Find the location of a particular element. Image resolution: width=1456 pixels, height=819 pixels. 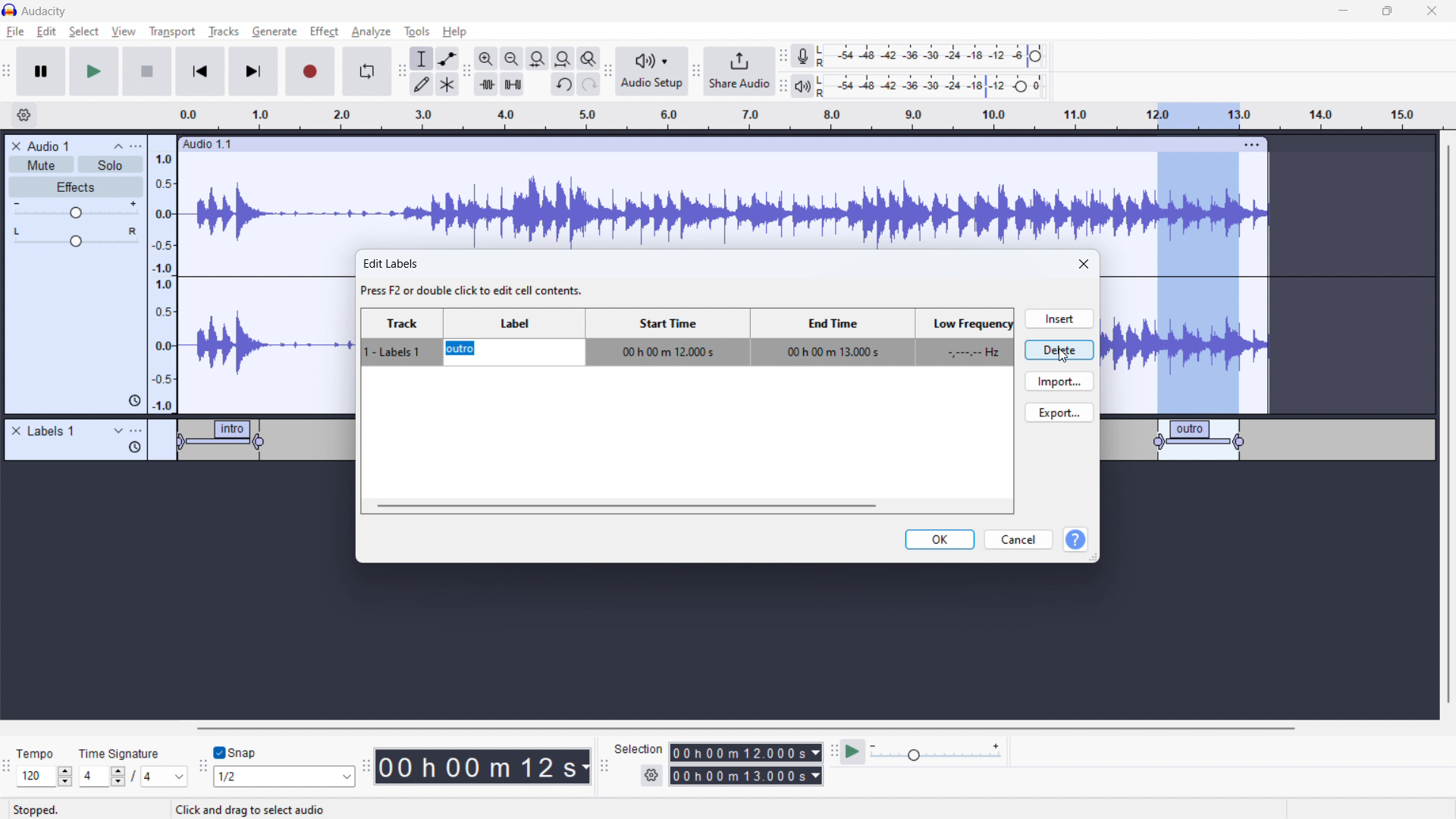

end time is located at coordinates (830, 336).